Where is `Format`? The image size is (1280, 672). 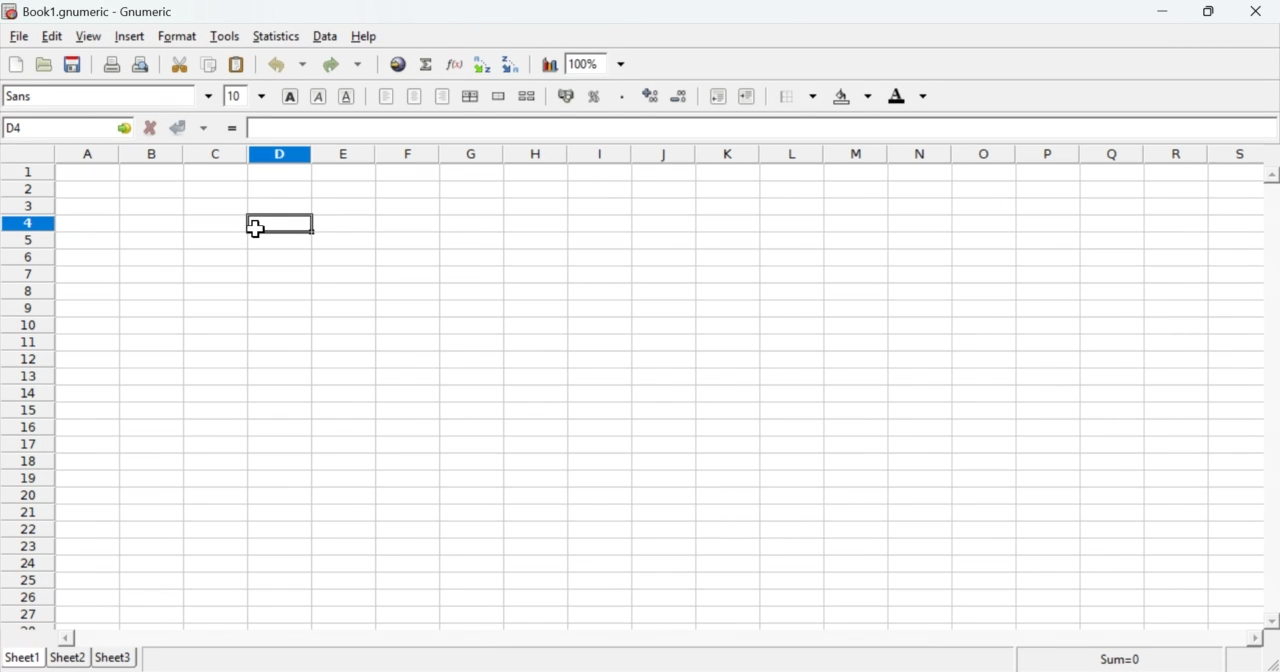 Format is located at coordinates (176, 37).